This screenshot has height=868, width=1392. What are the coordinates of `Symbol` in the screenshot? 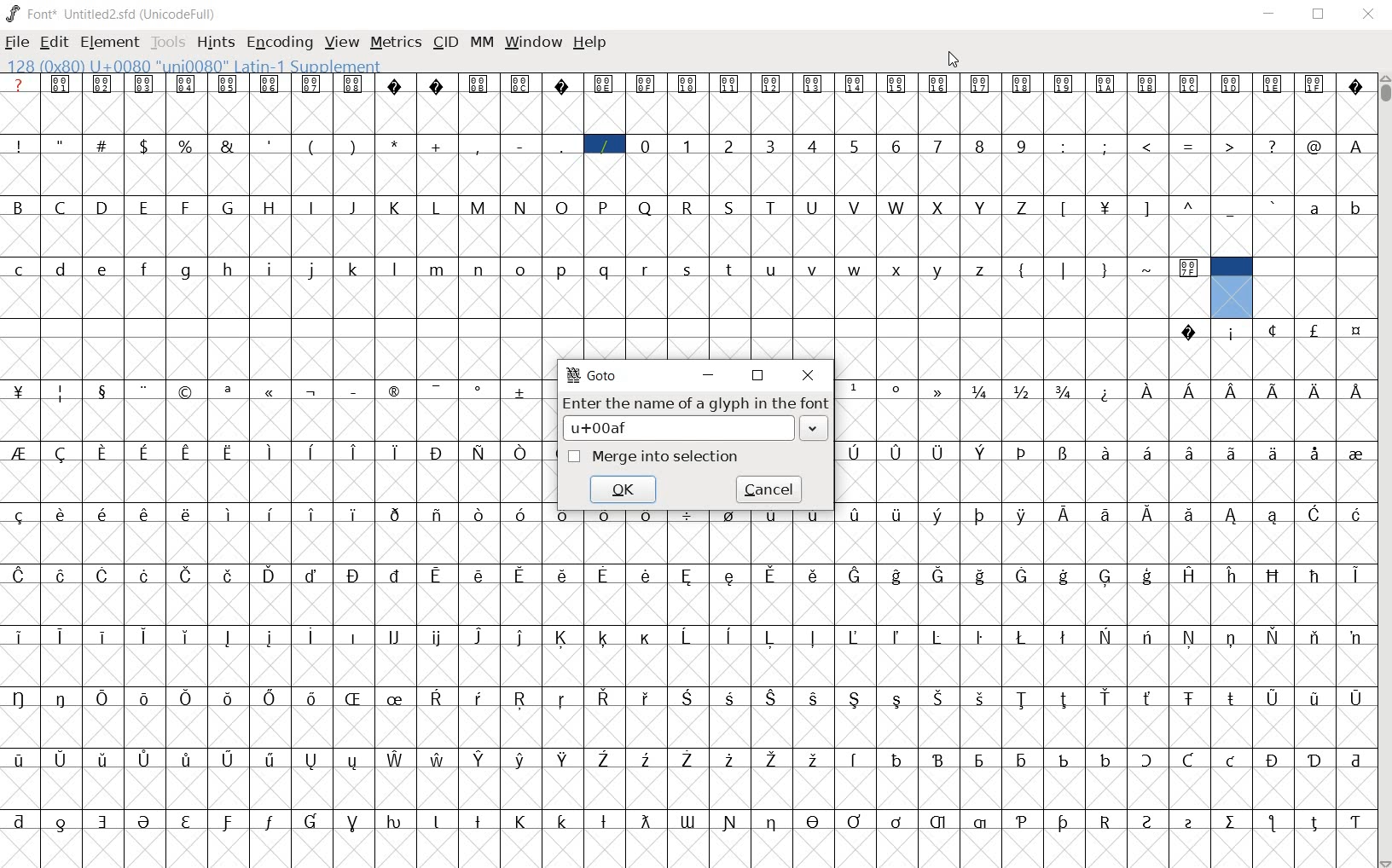 It's located at (64, 698).